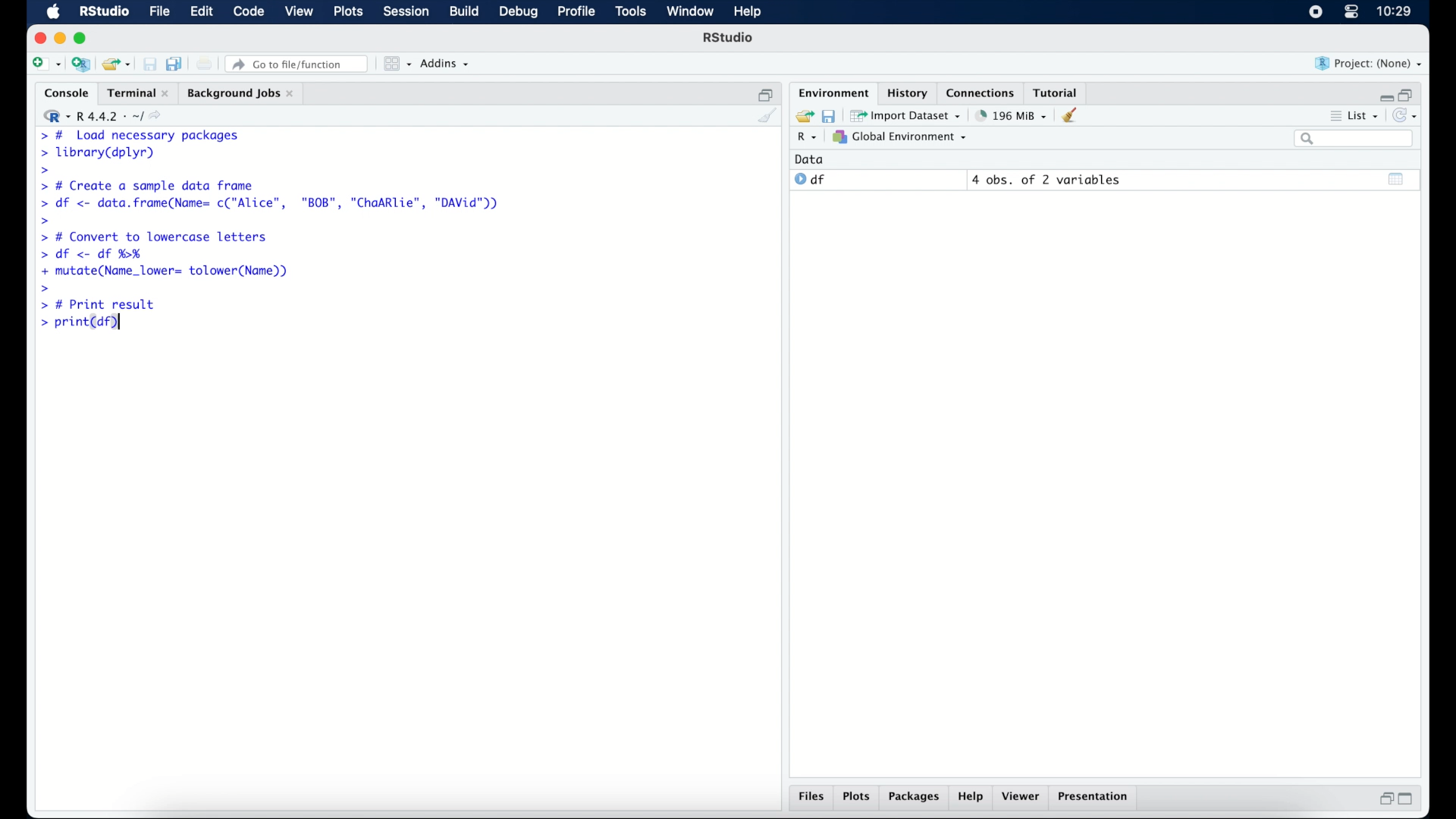 Image resolution: width=1456 pixels, height=819 pixels. I want to click on command prompt, so click(45, 288).